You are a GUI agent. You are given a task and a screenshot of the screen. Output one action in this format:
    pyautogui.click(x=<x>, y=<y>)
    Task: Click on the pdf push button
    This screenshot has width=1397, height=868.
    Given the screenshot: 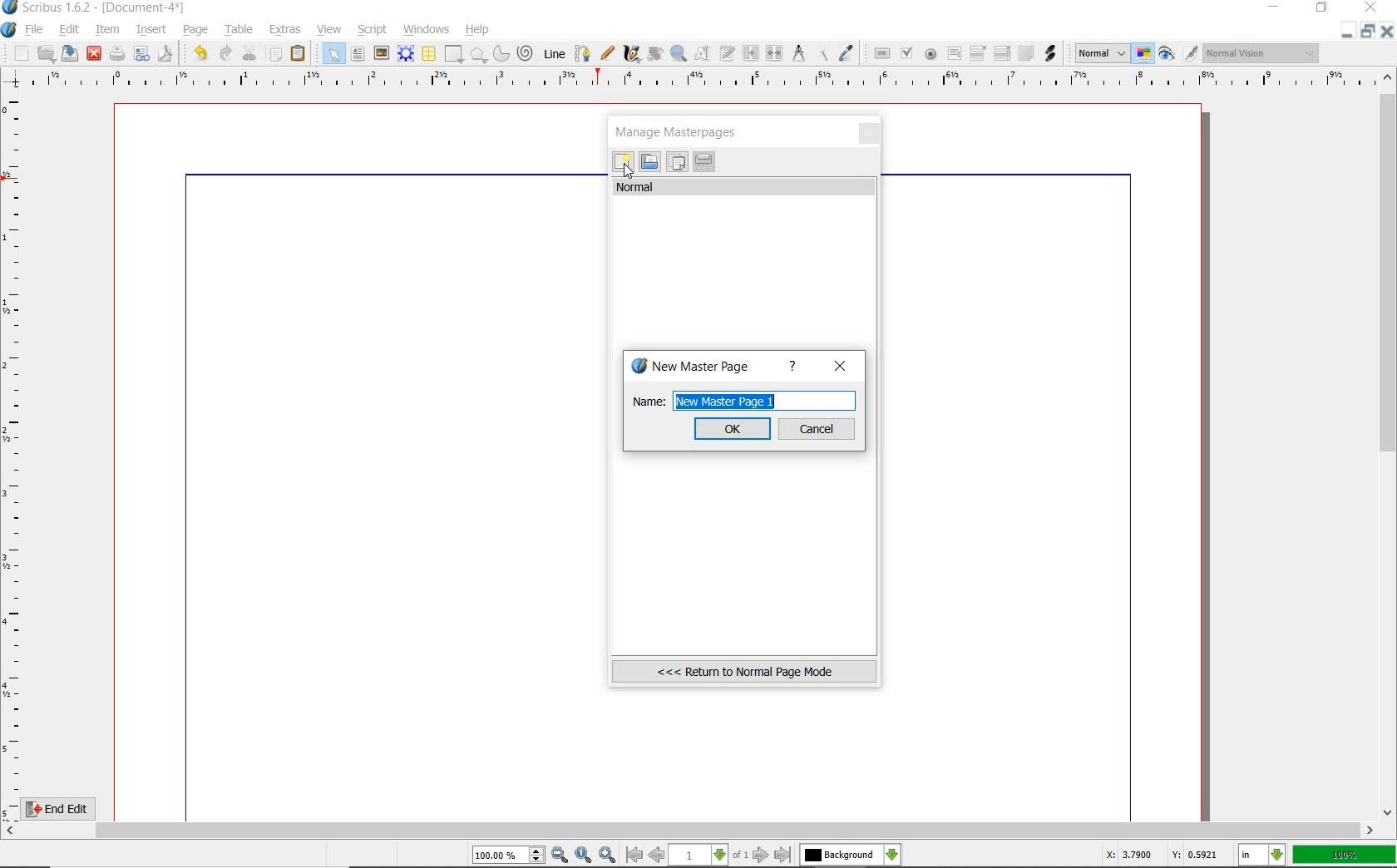 What is the action you would take?
    pyautogui.click(x=879, y=52)
    